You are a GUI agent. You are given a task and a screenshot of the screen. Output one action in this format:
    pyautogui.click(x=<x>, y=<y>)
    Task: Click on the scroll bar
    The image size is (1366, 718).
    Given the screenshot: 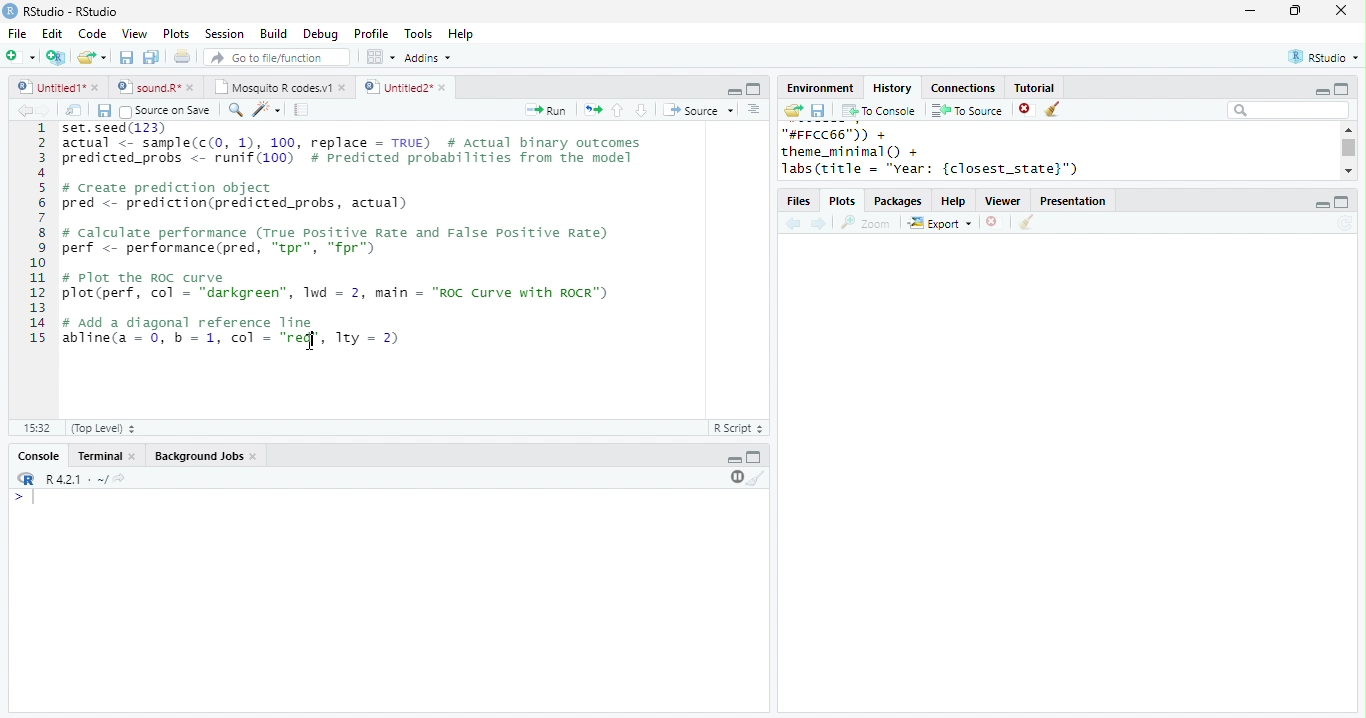 What is the action you would take?
    pyautogui.click(x=1350, y=148)
    